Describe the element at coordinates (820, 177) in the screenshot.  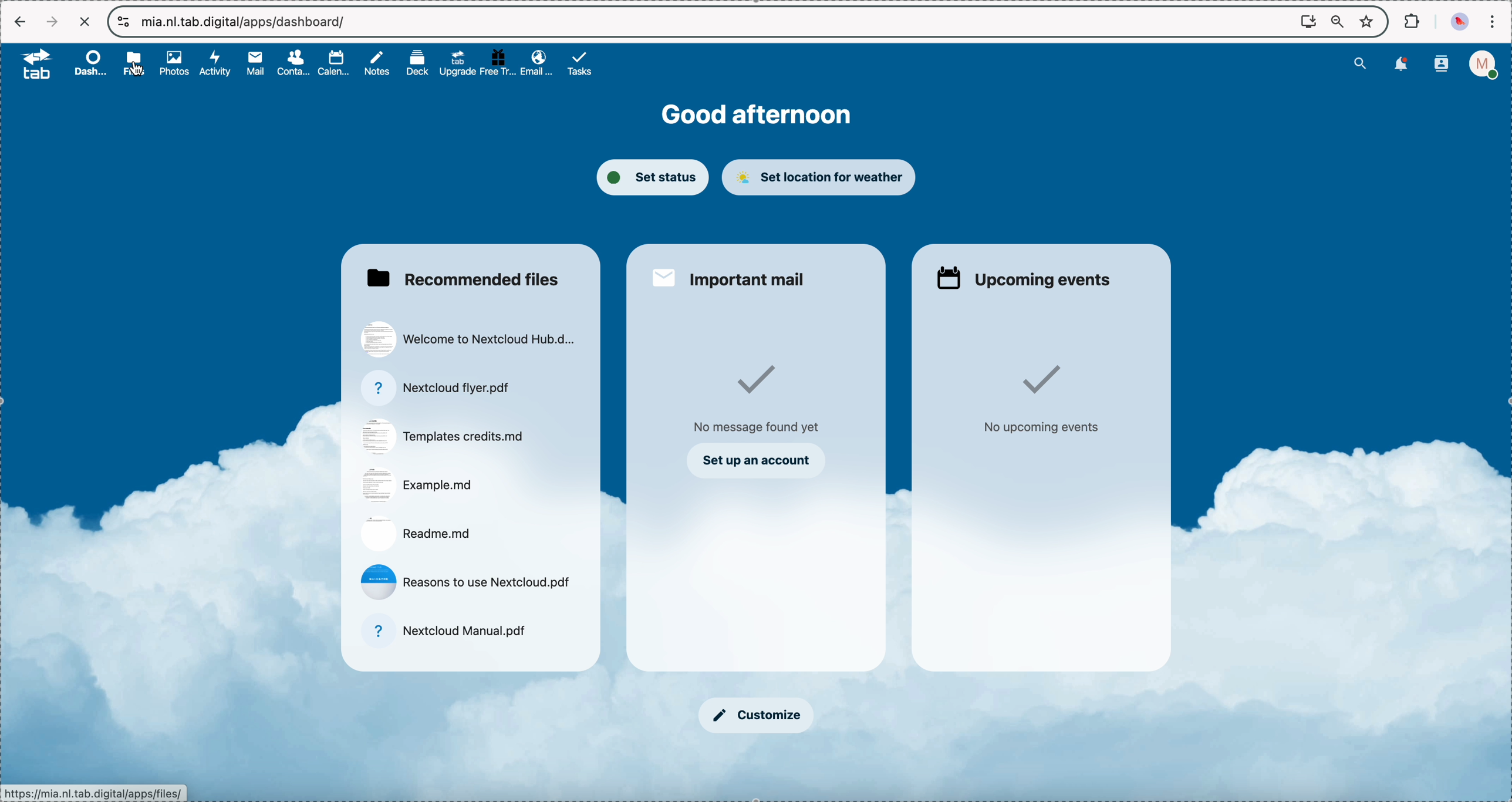
I see `set location for weather` at that location.